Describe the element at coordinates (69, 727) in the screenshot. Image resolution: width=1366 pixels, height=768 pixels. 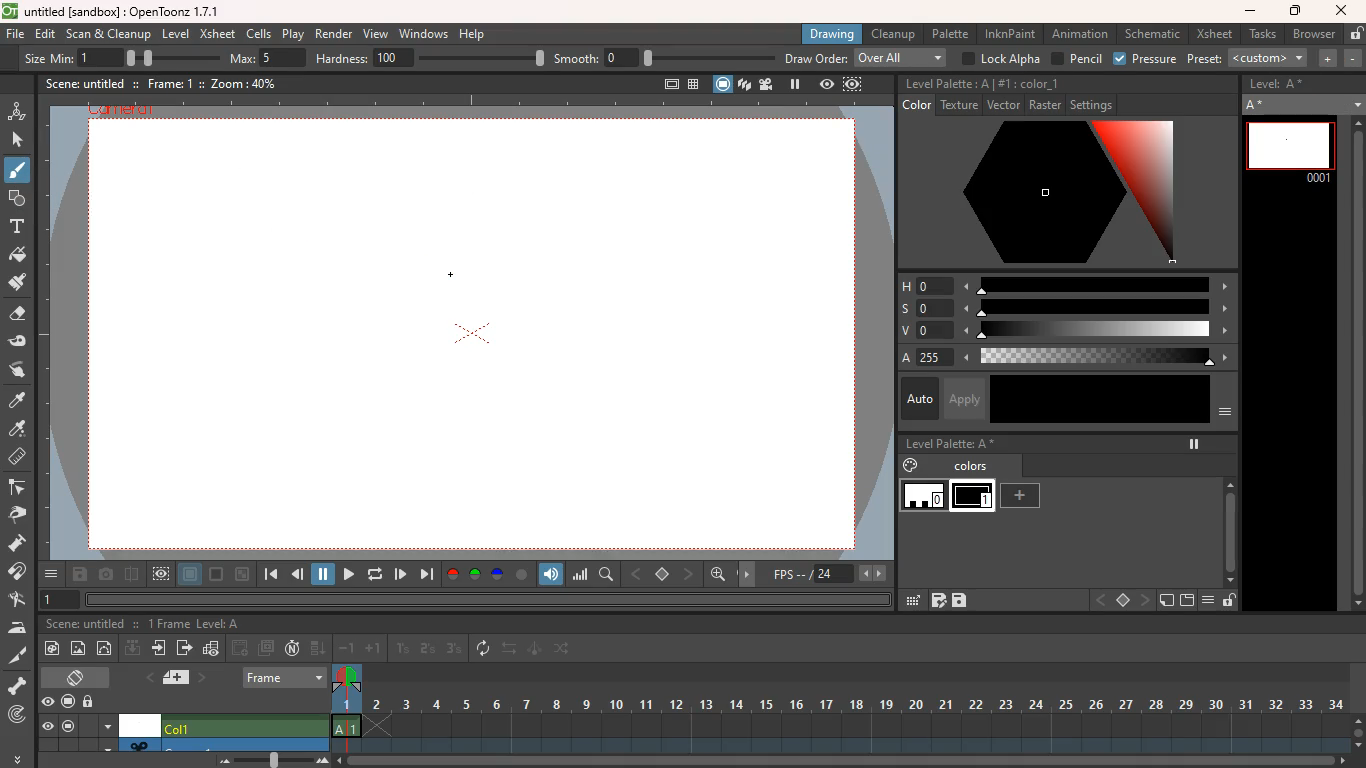
I see `screen` at that location.